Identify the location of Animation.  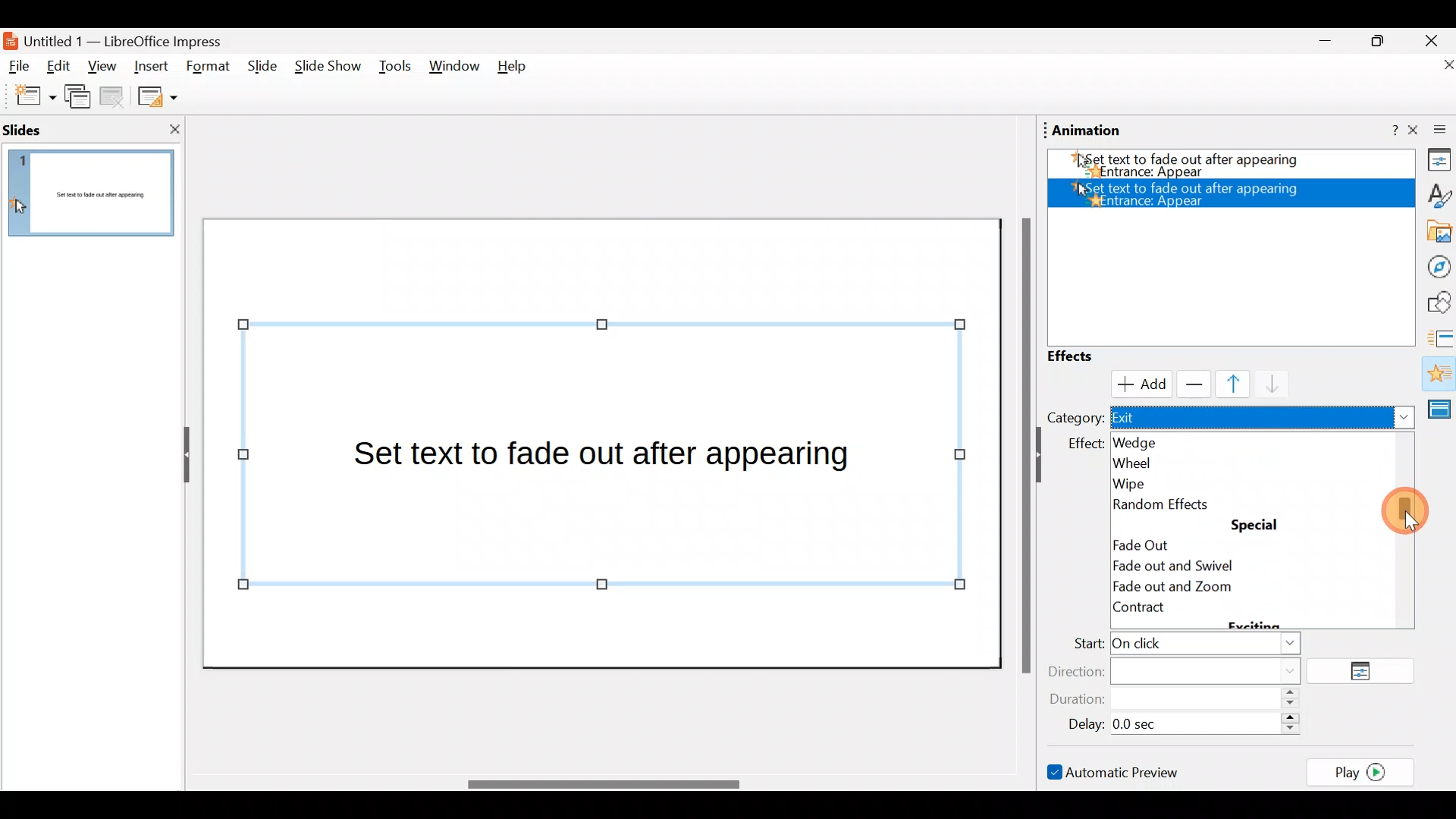
(1438, 375).